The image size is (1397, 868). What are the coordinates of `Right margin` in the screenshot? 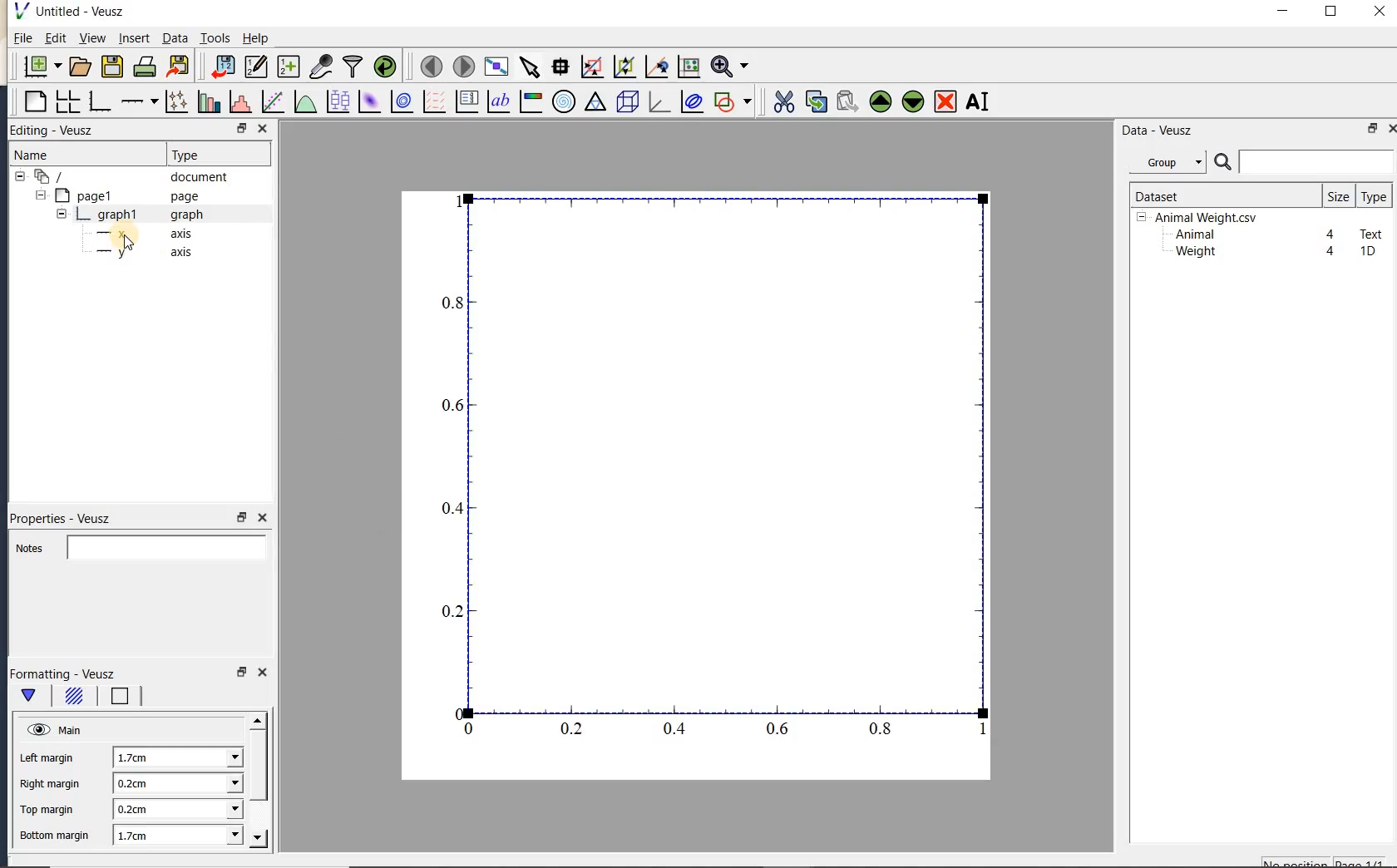 It's located at (50, 784).